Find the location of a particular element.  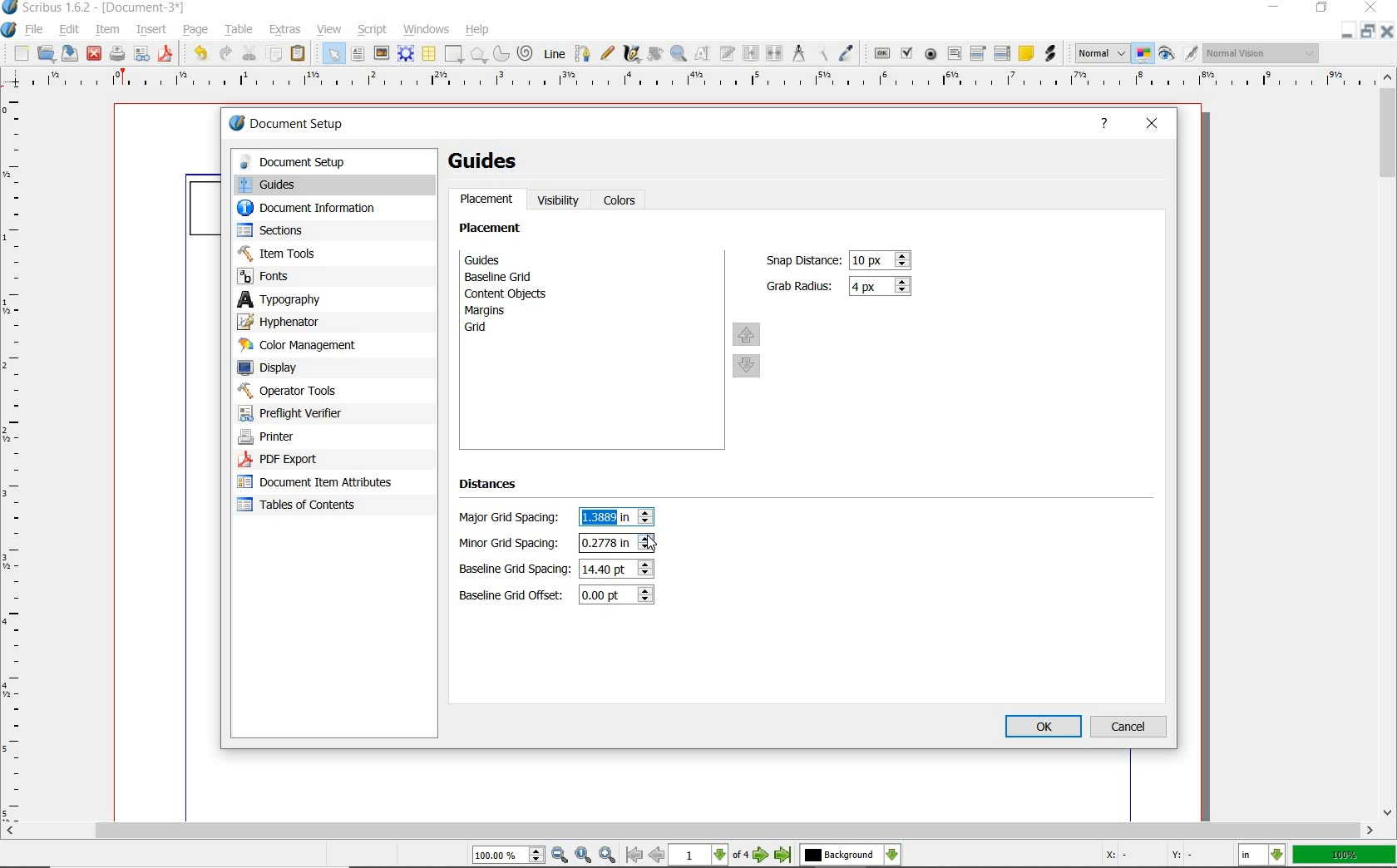

major grid spacing value is located at coordinates (608, 518).